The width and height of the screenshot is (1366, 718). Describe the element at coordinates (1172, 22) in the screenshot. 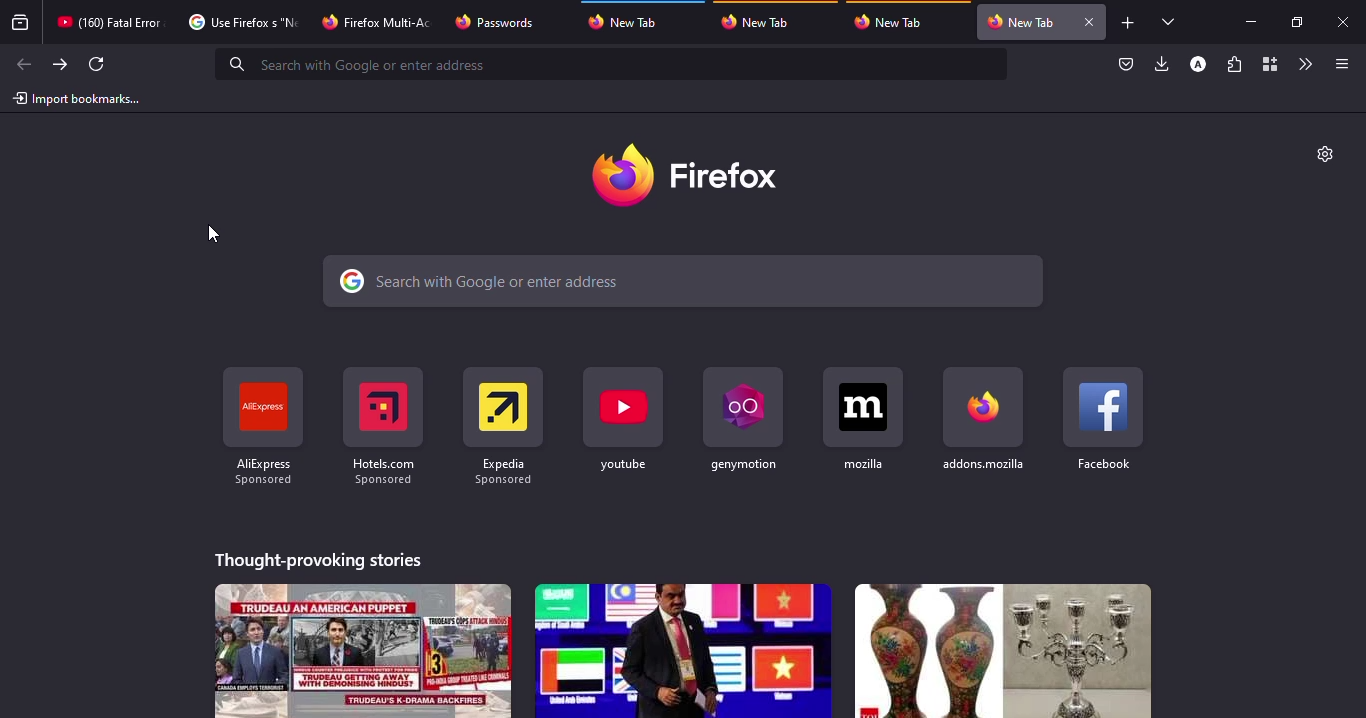

I see `select` at that location.